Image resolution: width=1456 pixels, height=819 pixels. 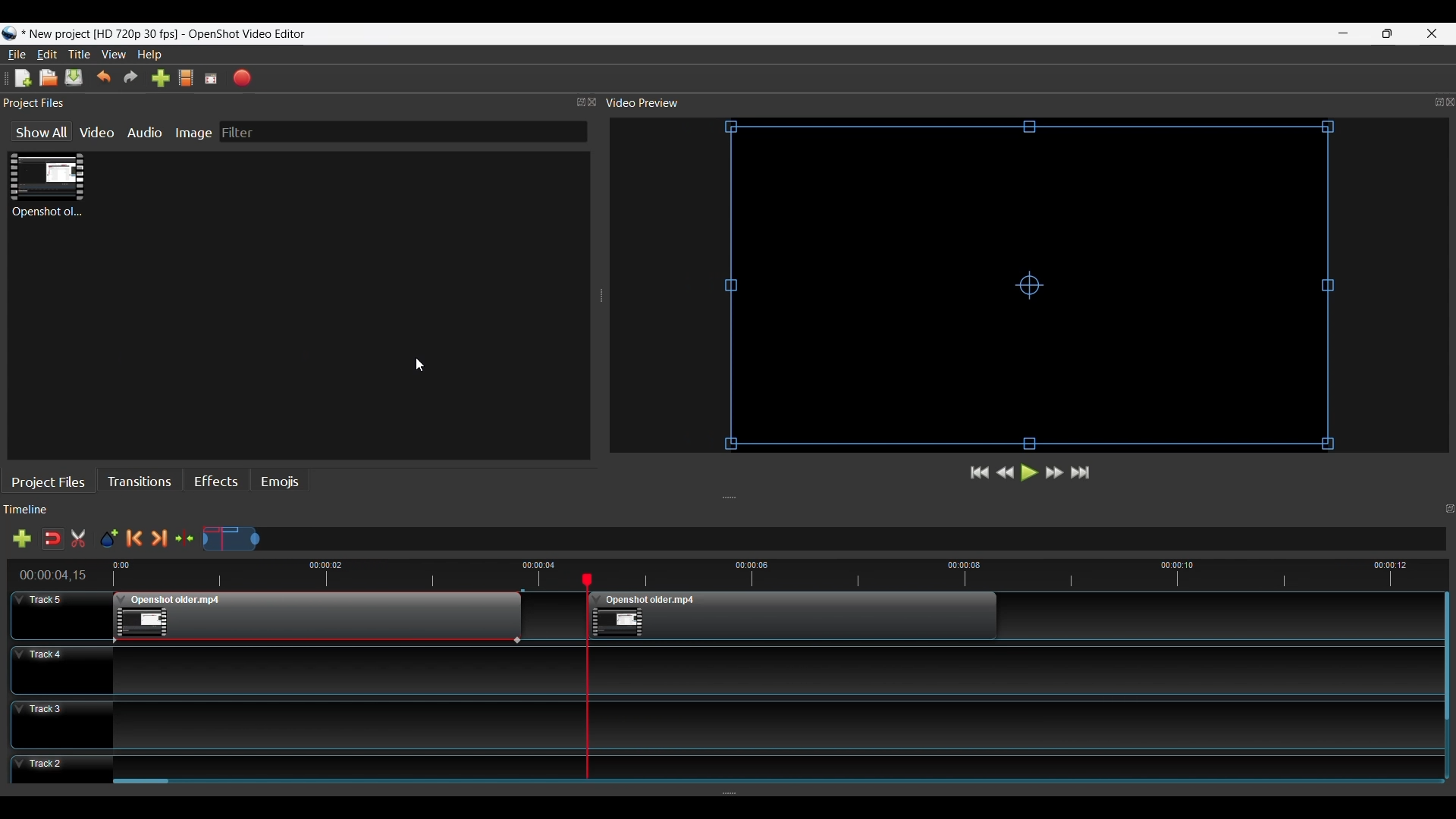 What do you see at coordinates (1028, 475) in the screenshot?
I see `Play` at bounding box center [1028, 475].